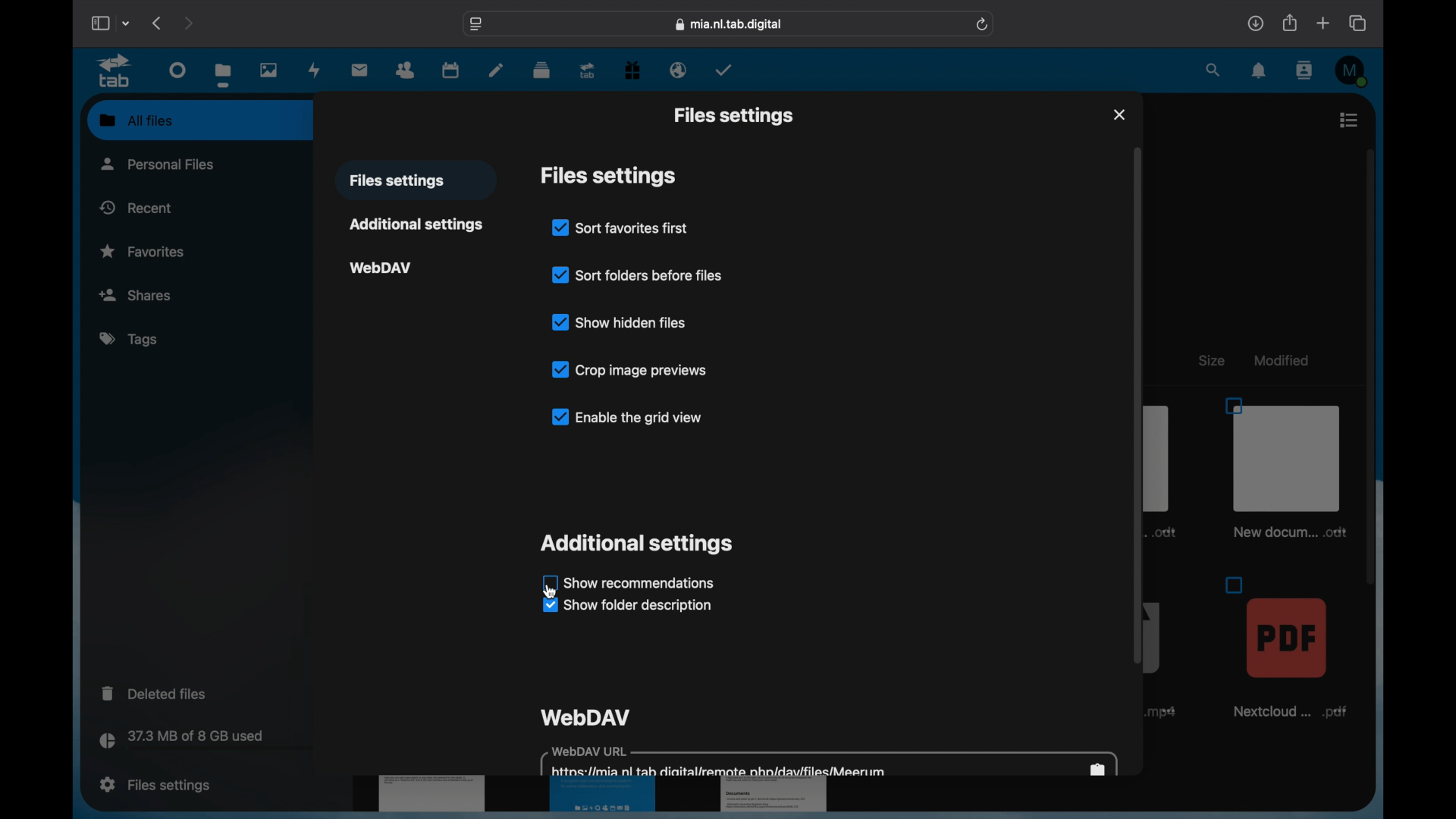  Describe the element at coordinates (1211, 359) in the screenshot. I see `size` at that location.